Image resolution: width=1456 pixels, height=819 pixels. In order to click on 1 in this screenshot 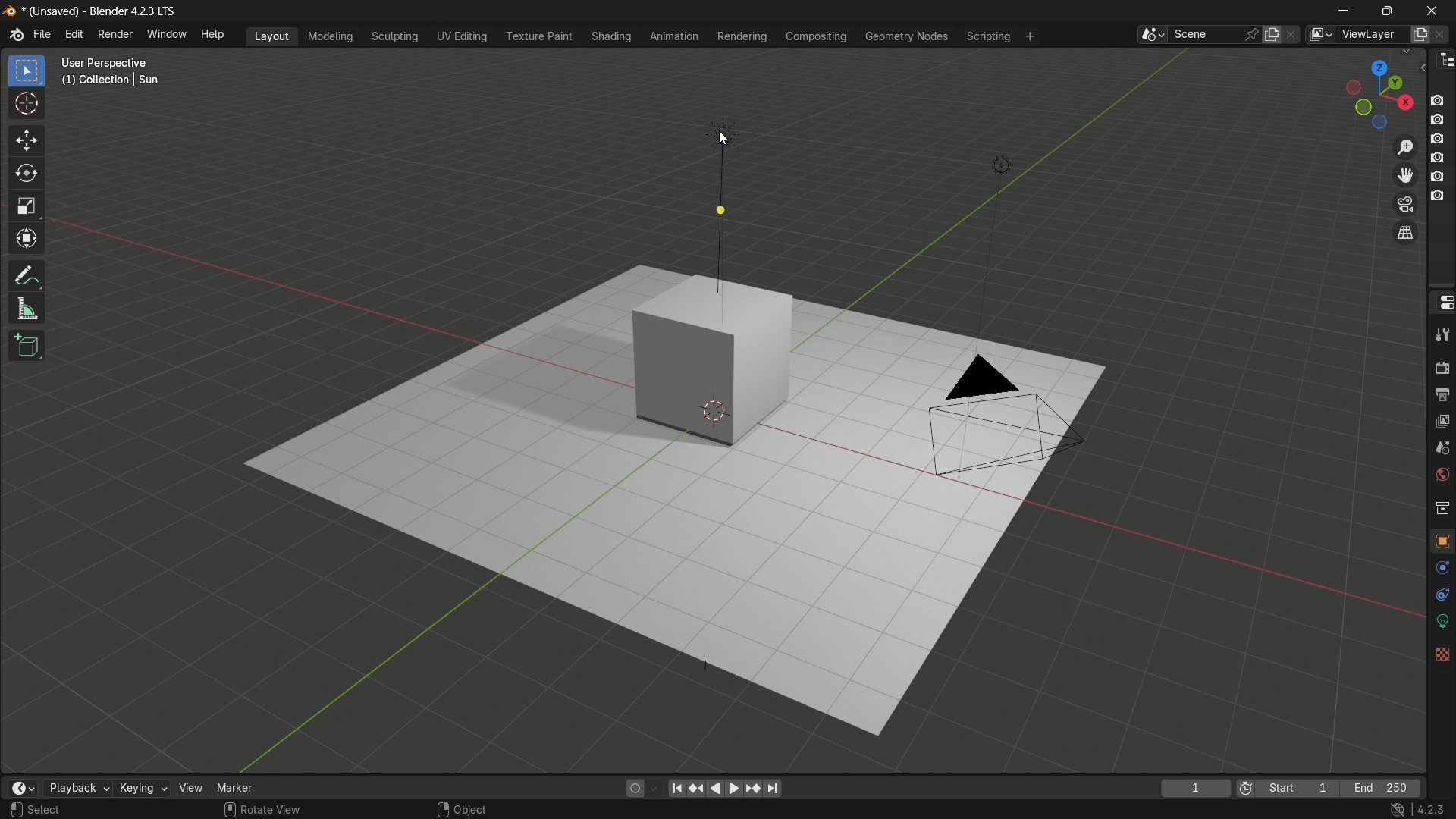, I will do `click(1197, 787)`.